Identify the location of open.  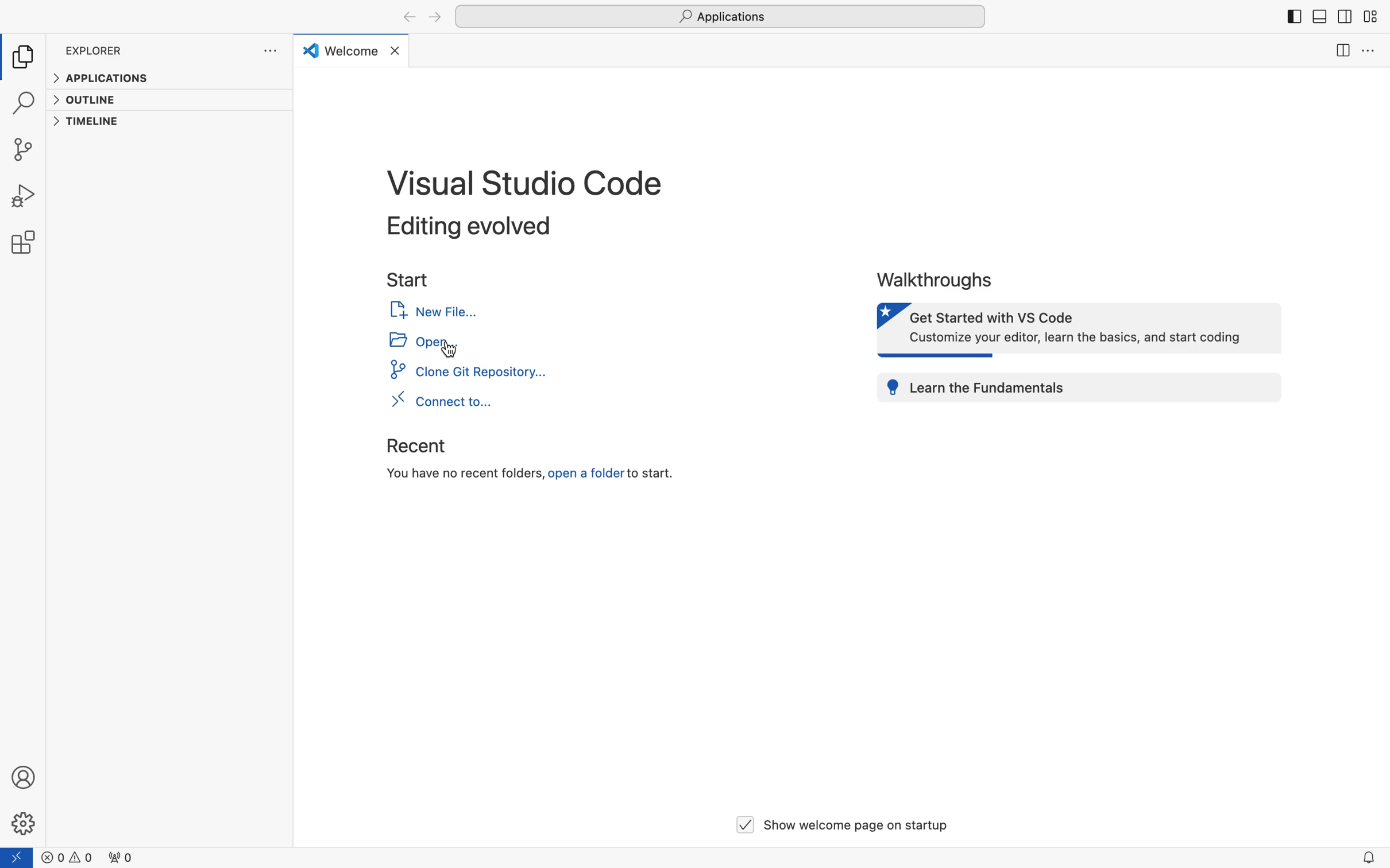
(415, 342).